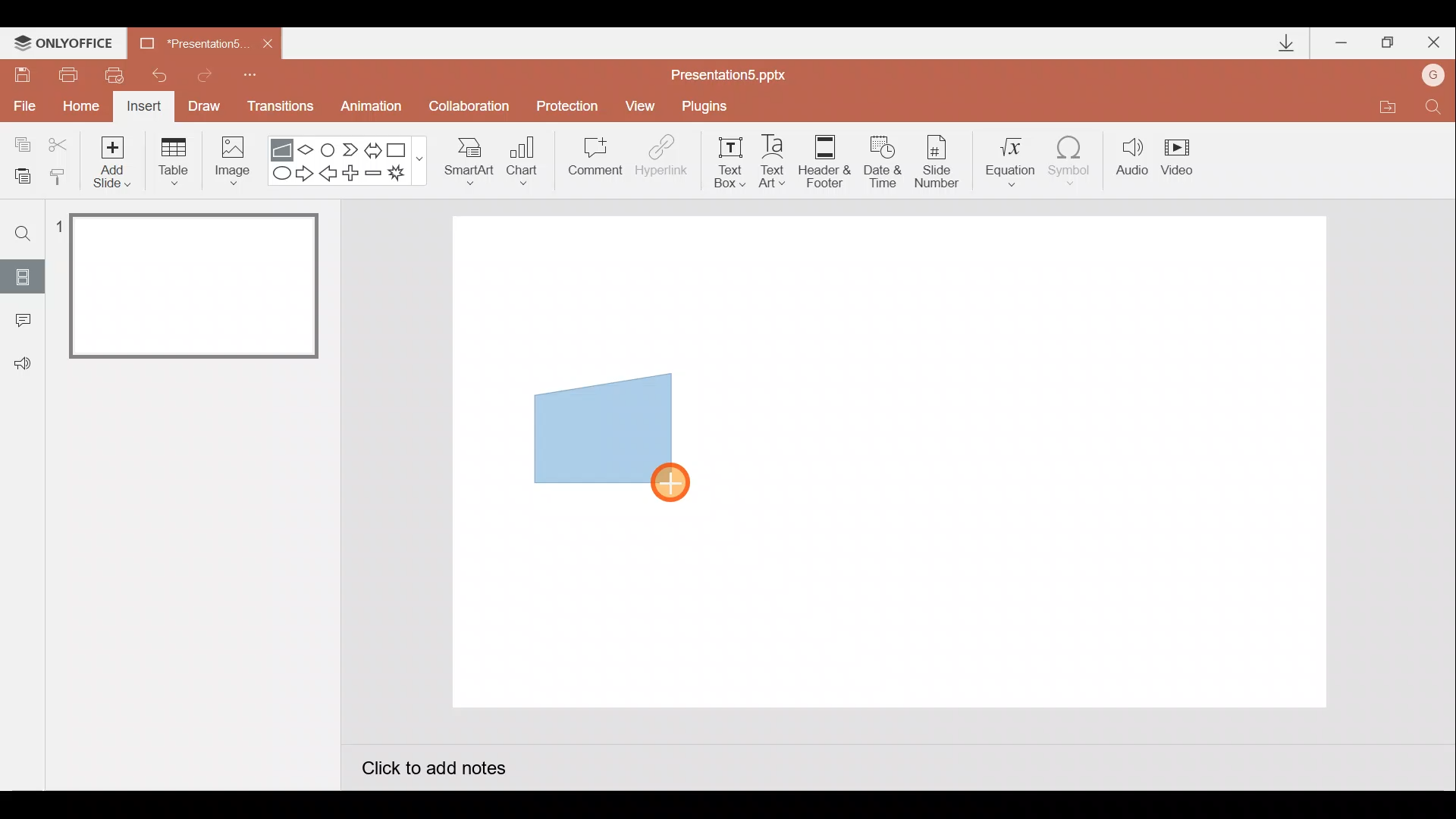 The image size is (1456, 819). Describe the element at coordinates (172, 160) in the screenshot. I see `Table` at that location.